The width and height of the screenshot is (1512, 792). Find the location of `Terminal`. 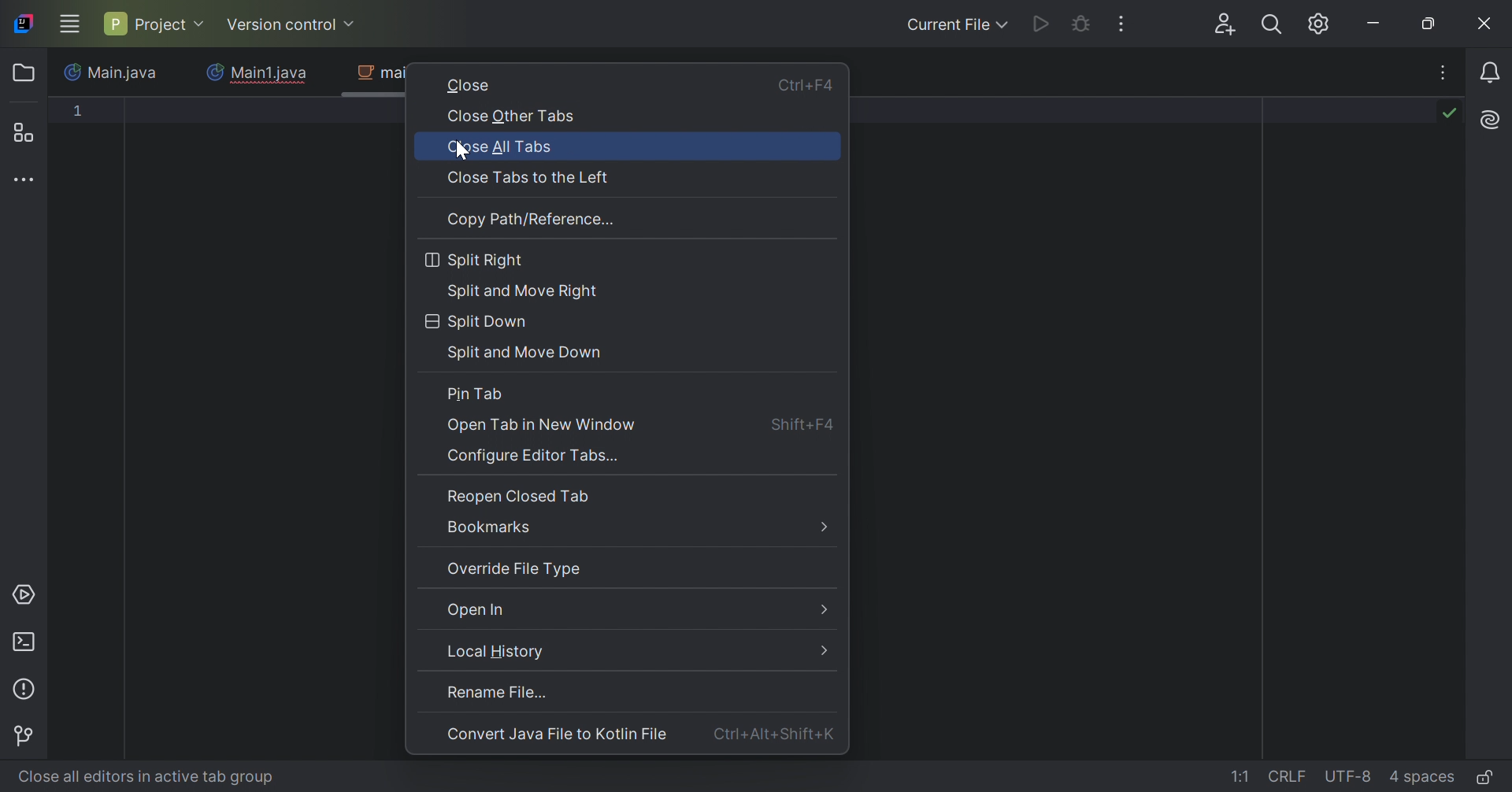

Terminal is located at coordinates (28, 643).